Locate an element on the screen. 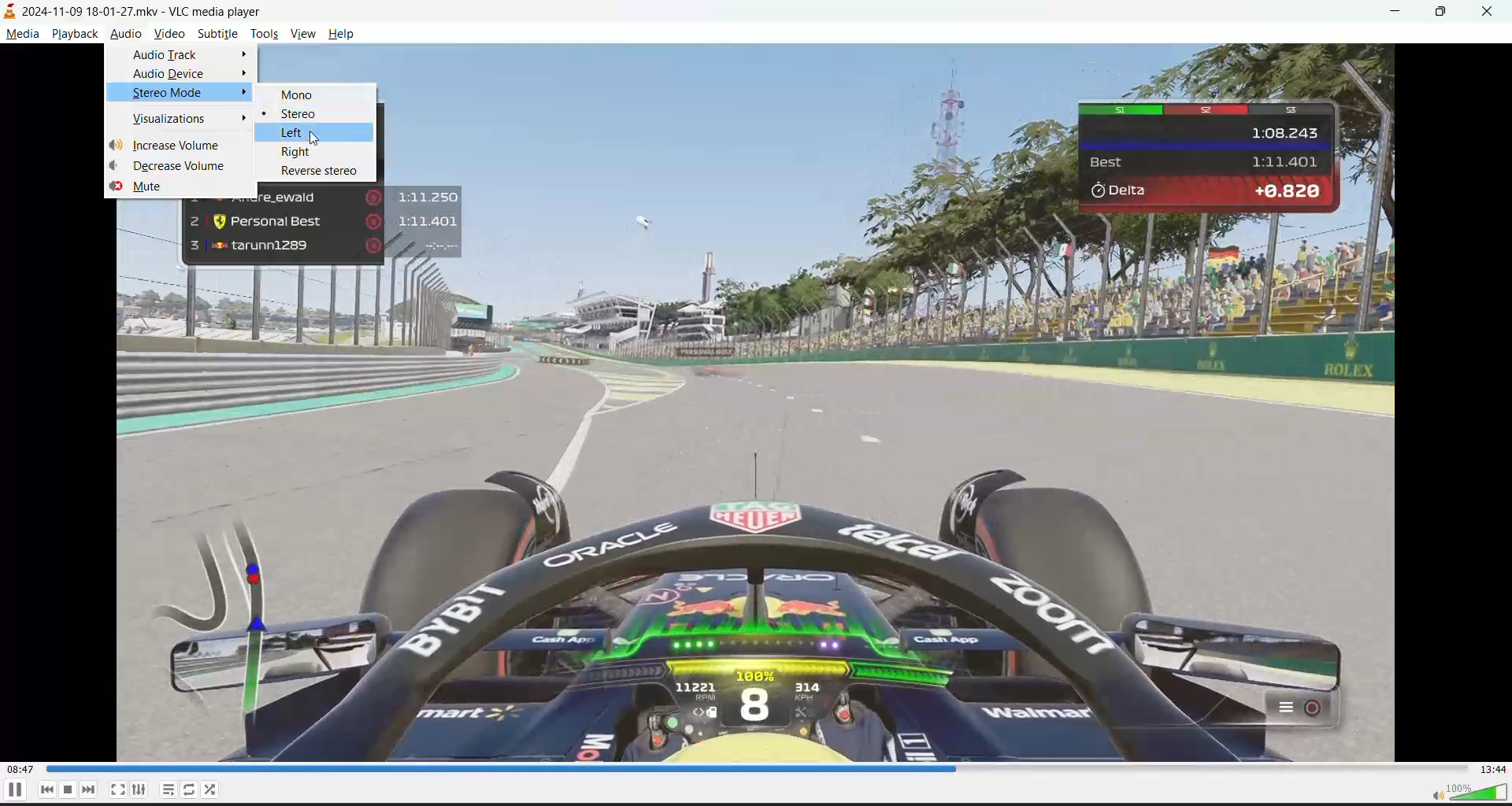 The height and width of the screenshot is (806, 1512). mono is located at coordinates (301, 95).